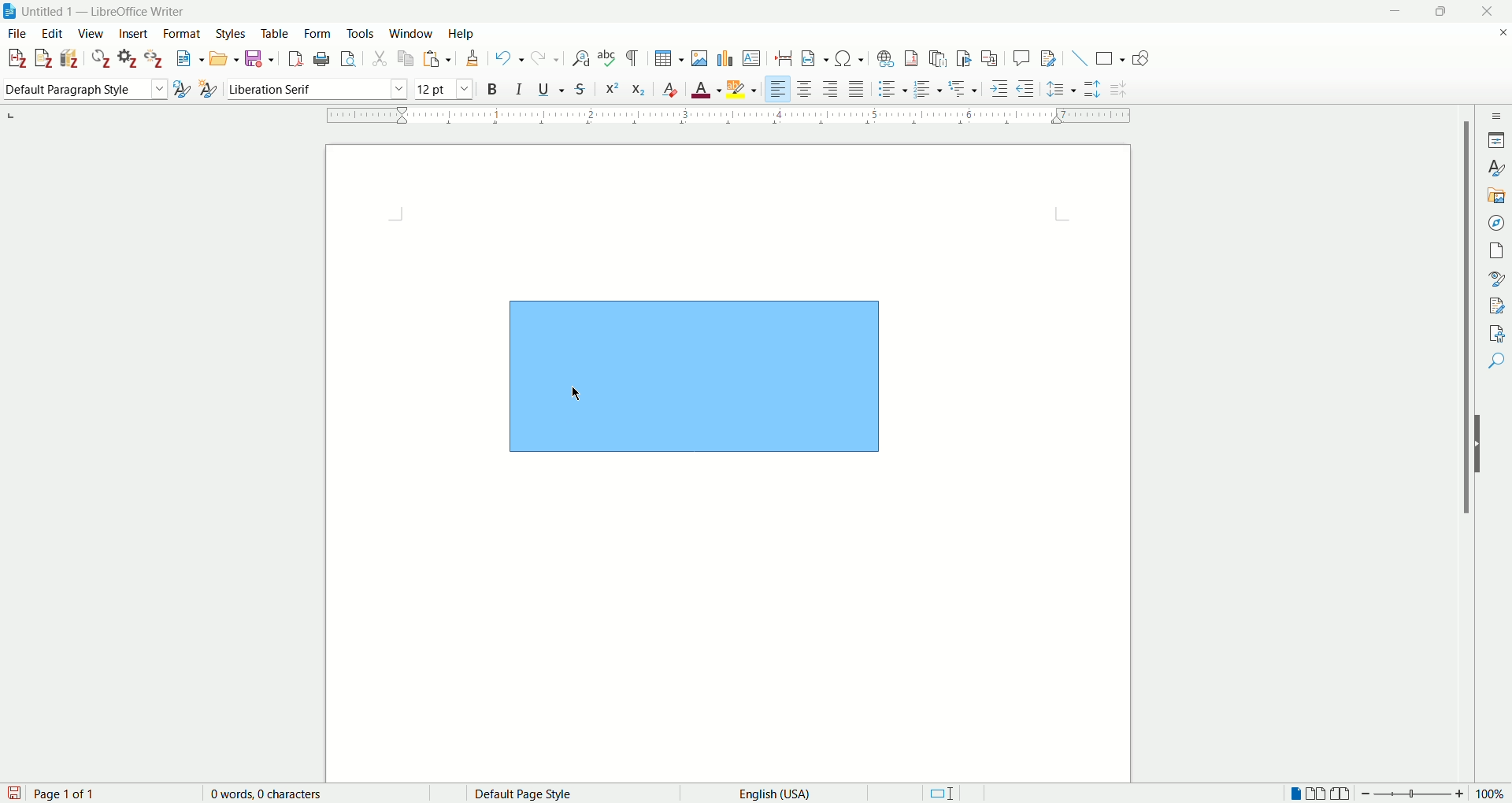  What do you see at coordinates (271, 794) in the screenshot?
I see `0 words, 0 characters` at bounding box center [271, 794].